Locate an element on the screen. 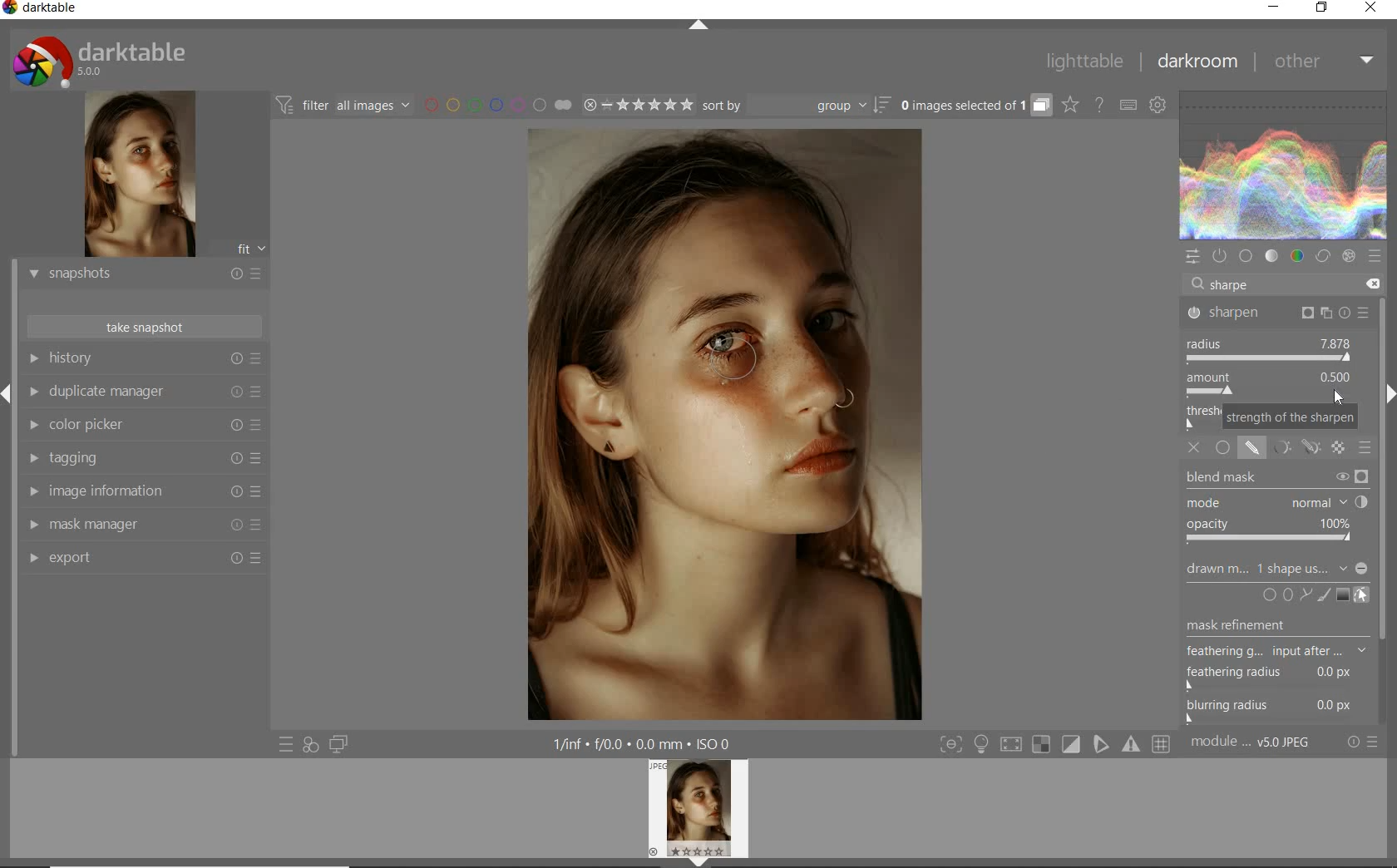 This screenshot has height=868, width=1397. INPUT VALUE is located at coordinates (1230, 284).